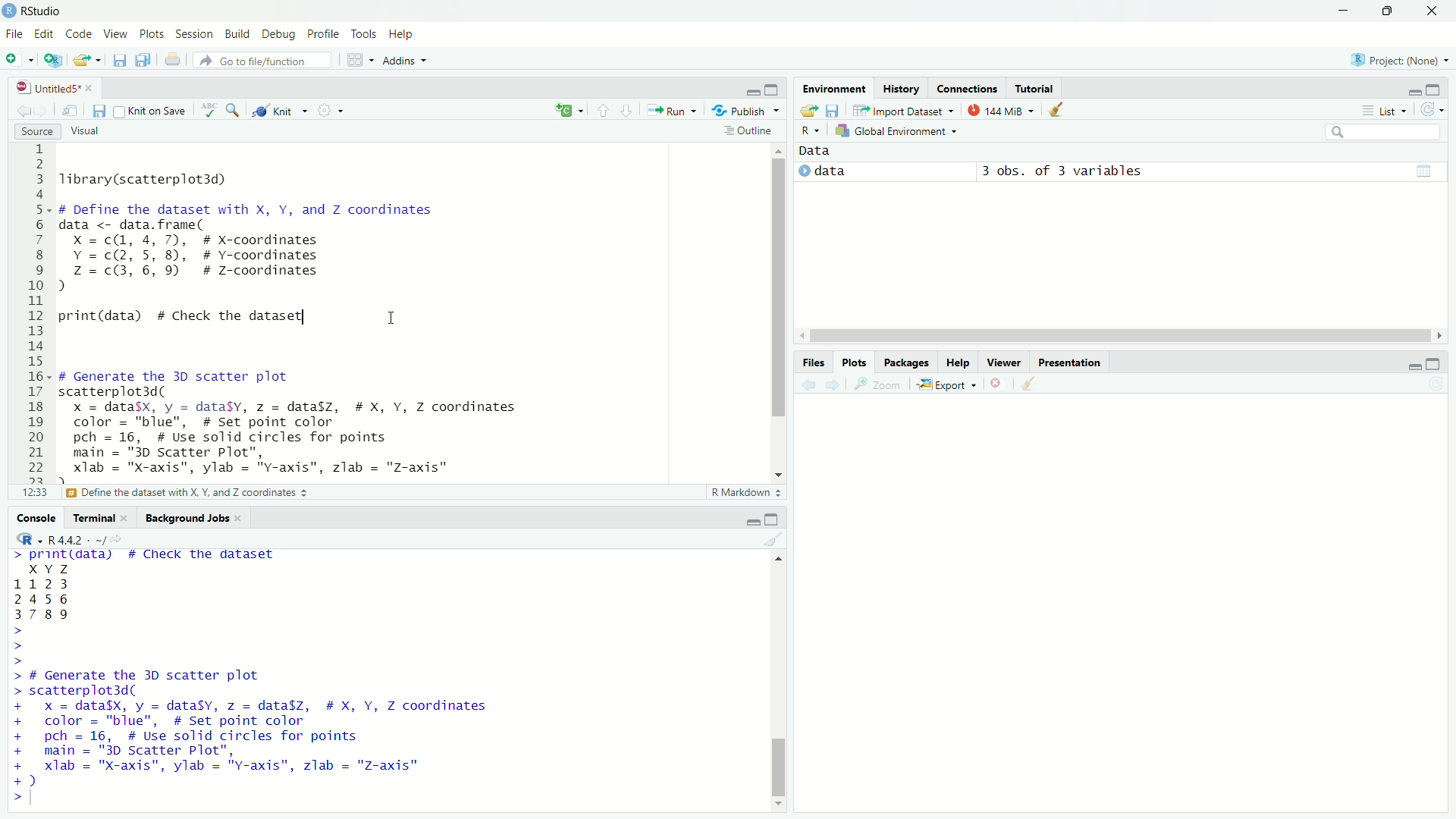  Describe the element at coordinates (1442, 334) in the screenshot. I see `move right` at that location.